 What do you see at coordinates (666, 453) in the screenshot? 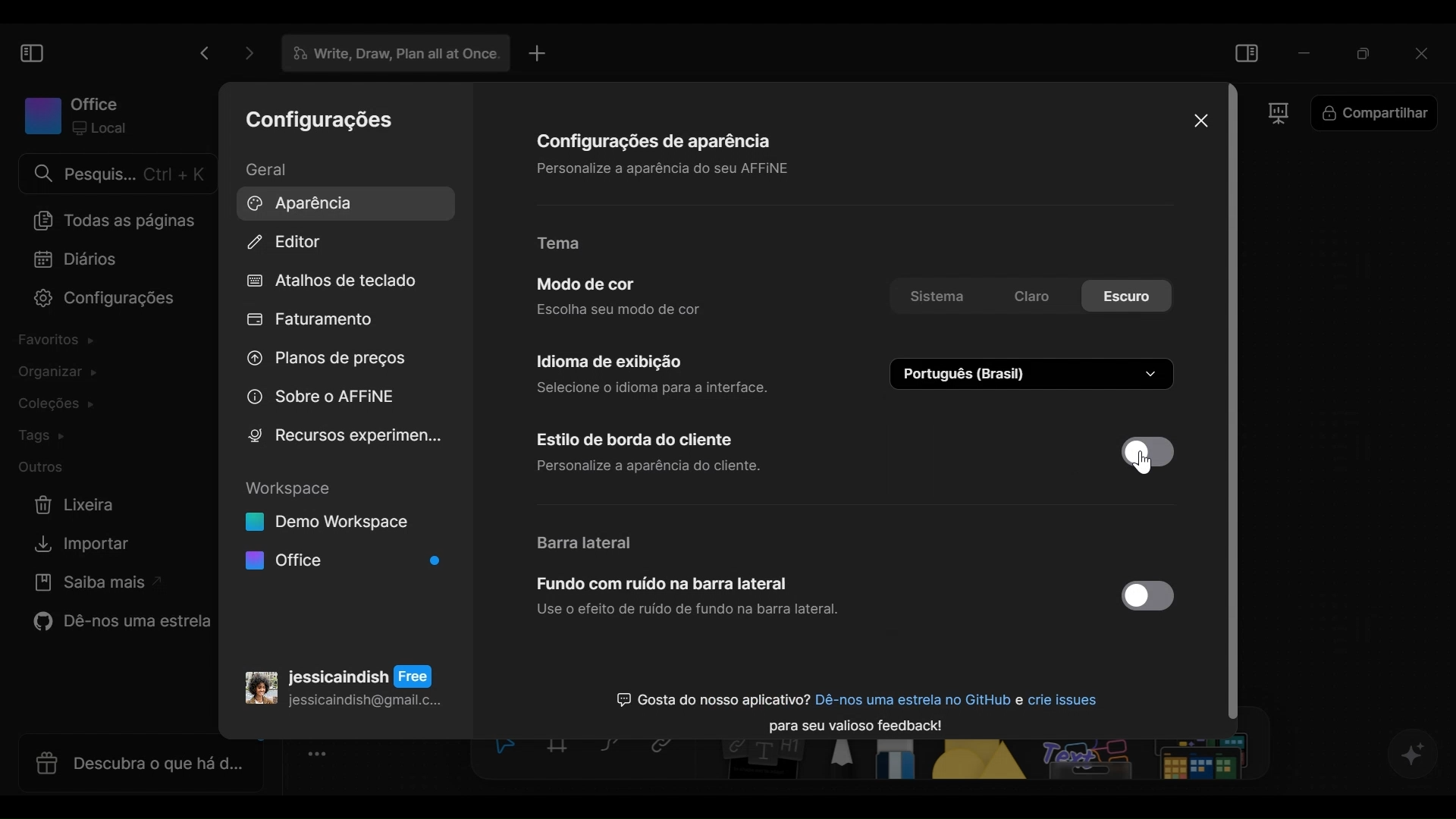
I see `Client border Style` at bounding box center [666, 453].